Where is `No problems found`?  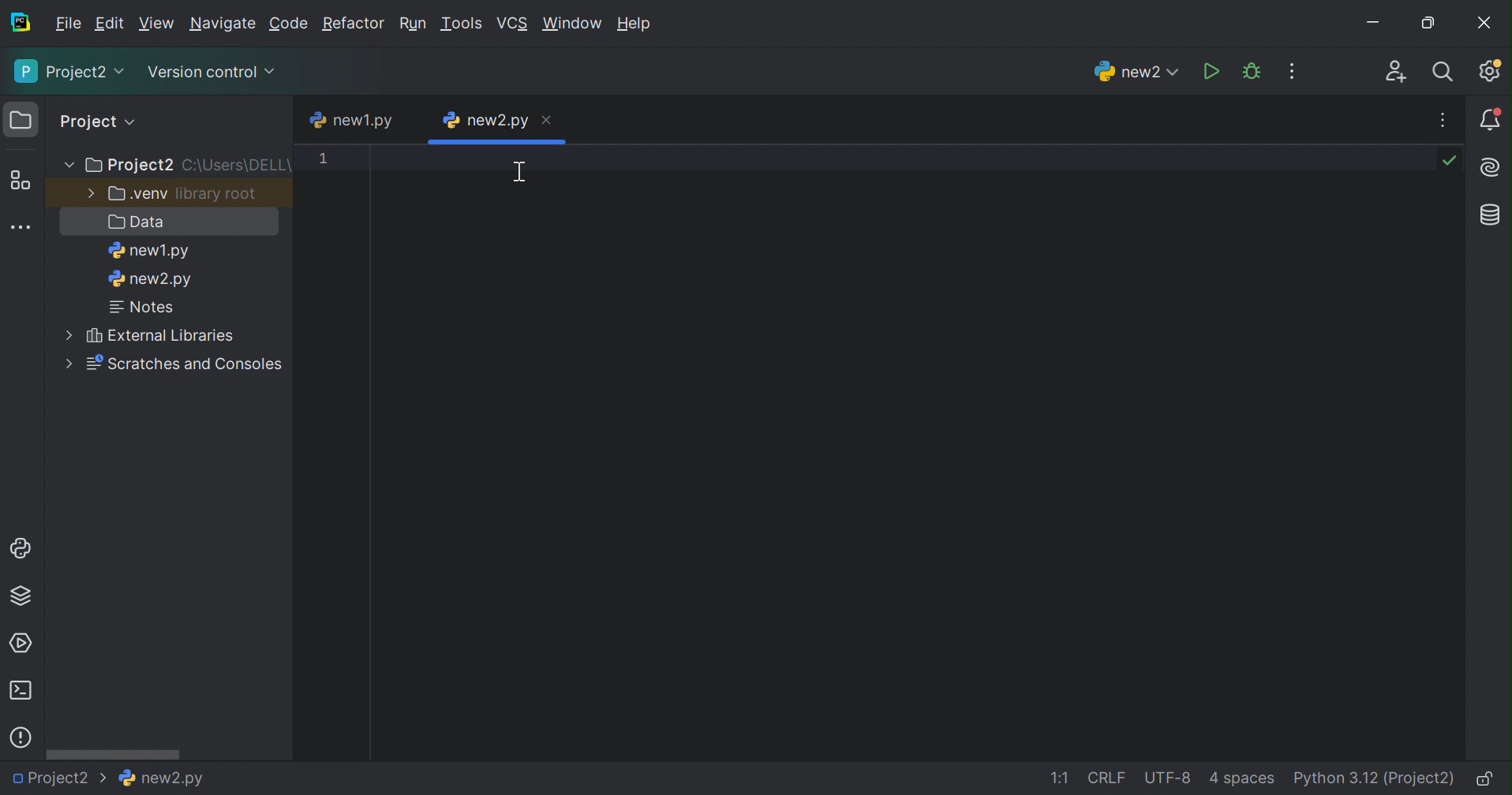
No problems found is located at coordinates (1453, 162).